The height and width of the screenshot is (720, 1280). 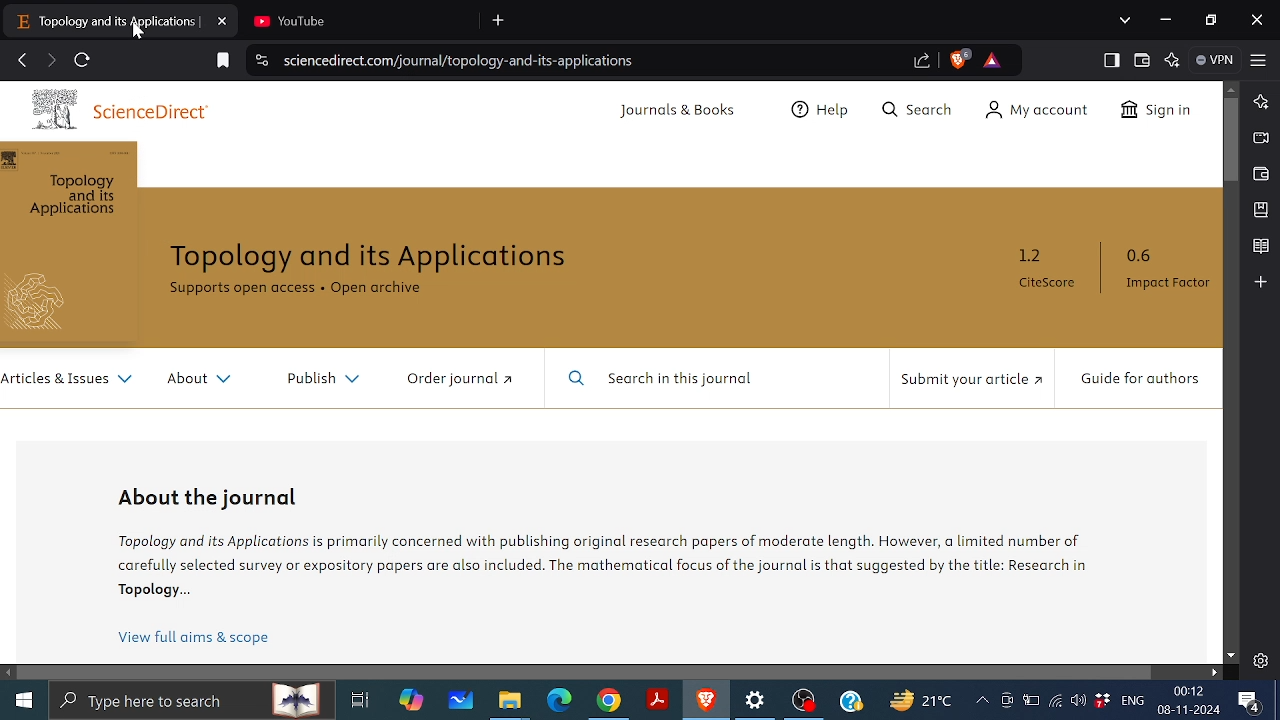 I want to click on Customize and control brave, so click(x=1259, y=59).